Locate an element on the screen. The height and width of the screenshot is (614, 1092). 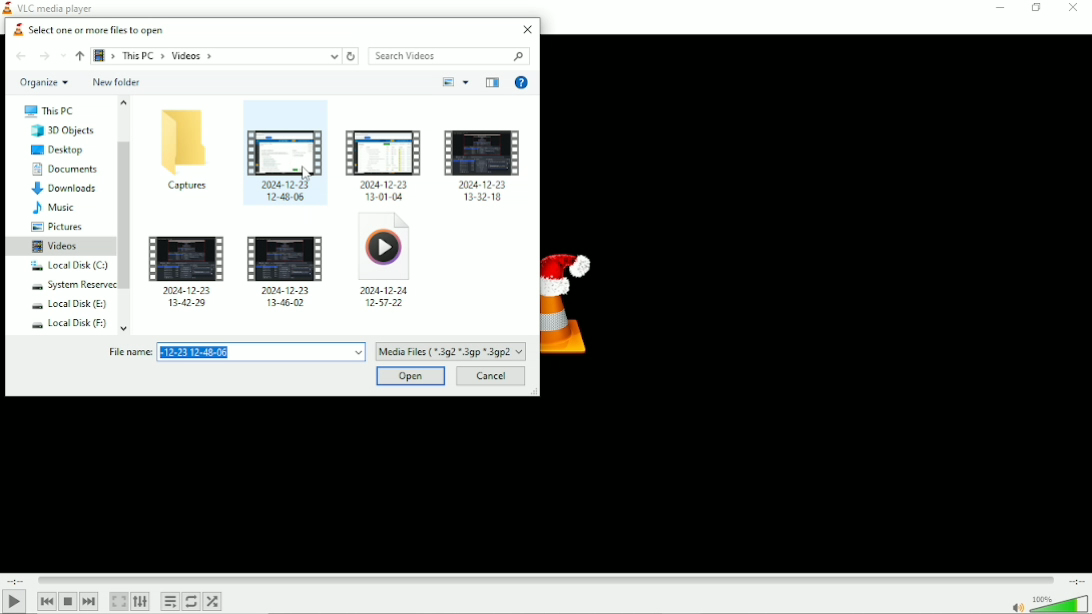
Minimize is located at coordinates (999, 8).